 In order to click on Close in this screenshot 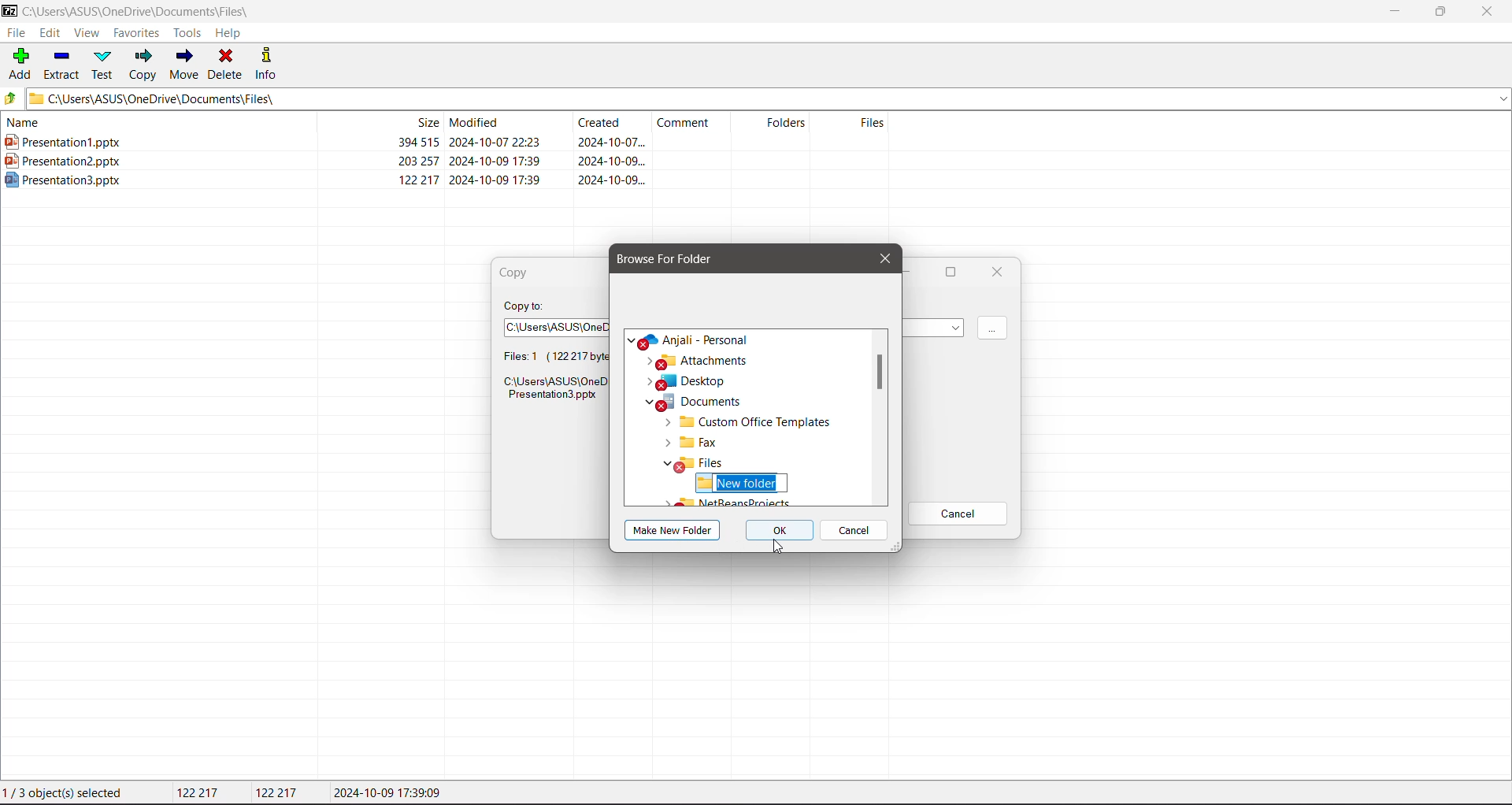, I will do `click(882, 258)`.